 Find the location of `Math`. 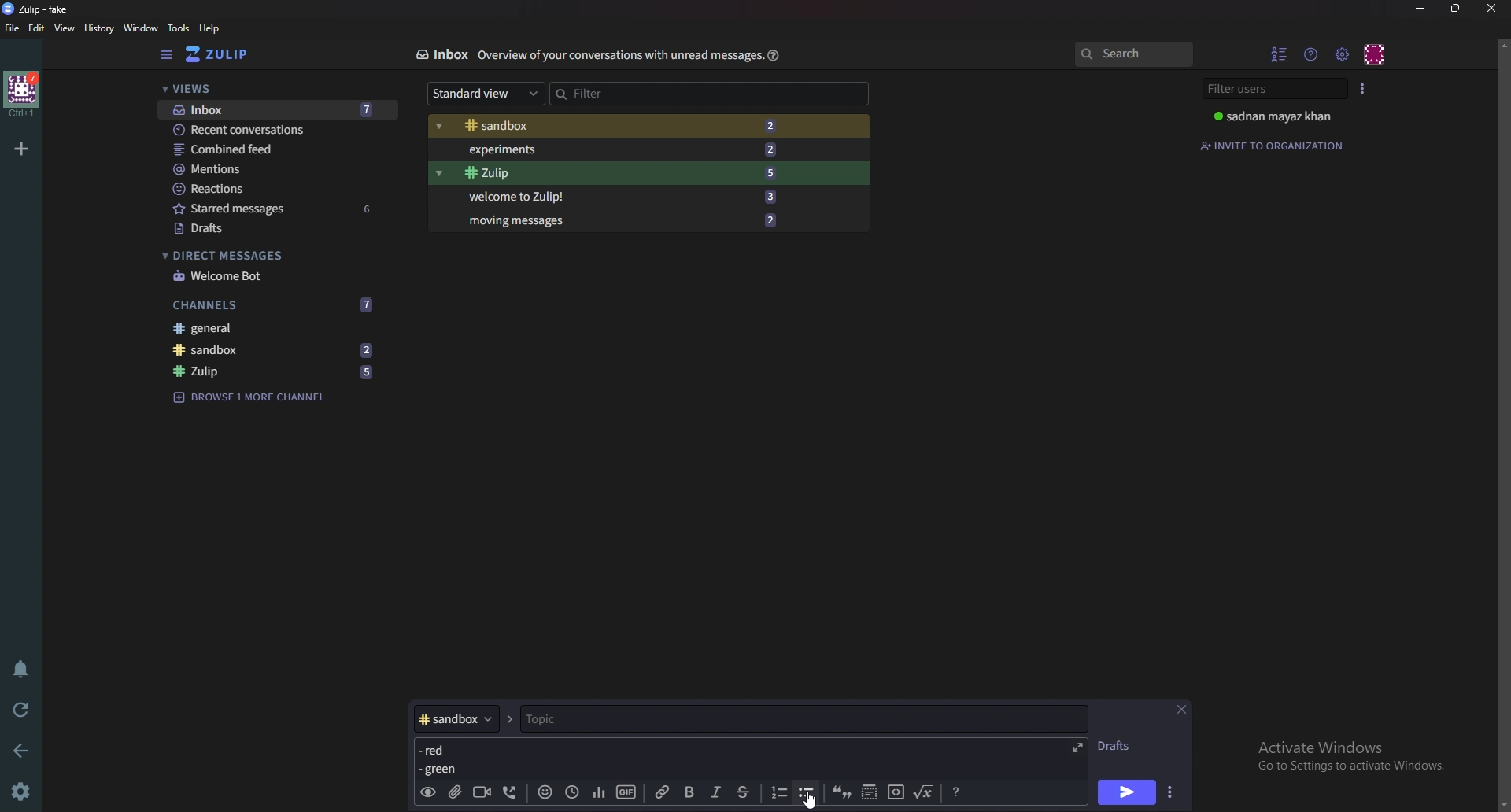

Math is located at coordinates (925, 790).